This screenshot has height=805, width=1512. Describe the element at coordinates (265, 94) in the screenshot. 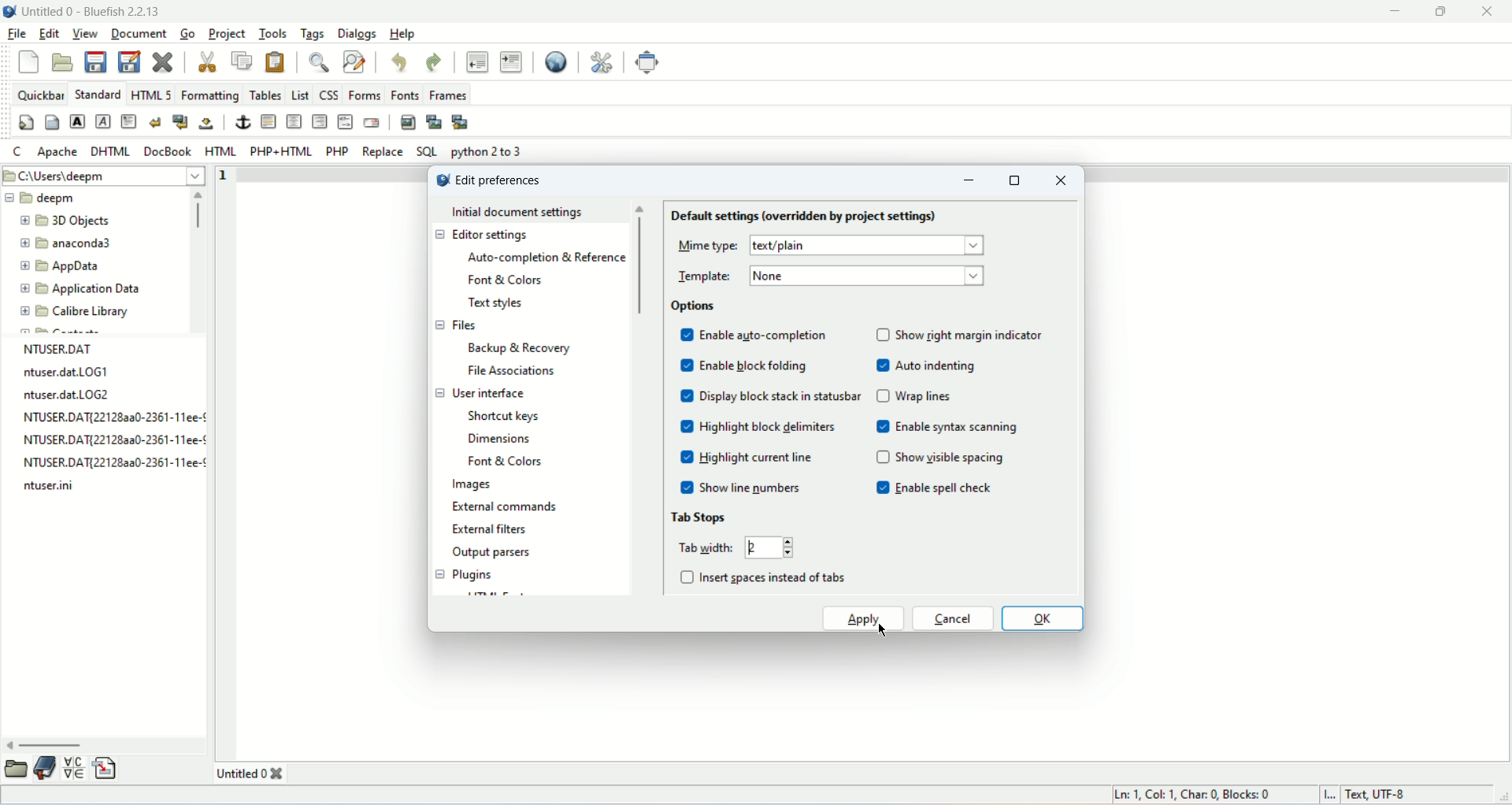

I see `tables` at that location.